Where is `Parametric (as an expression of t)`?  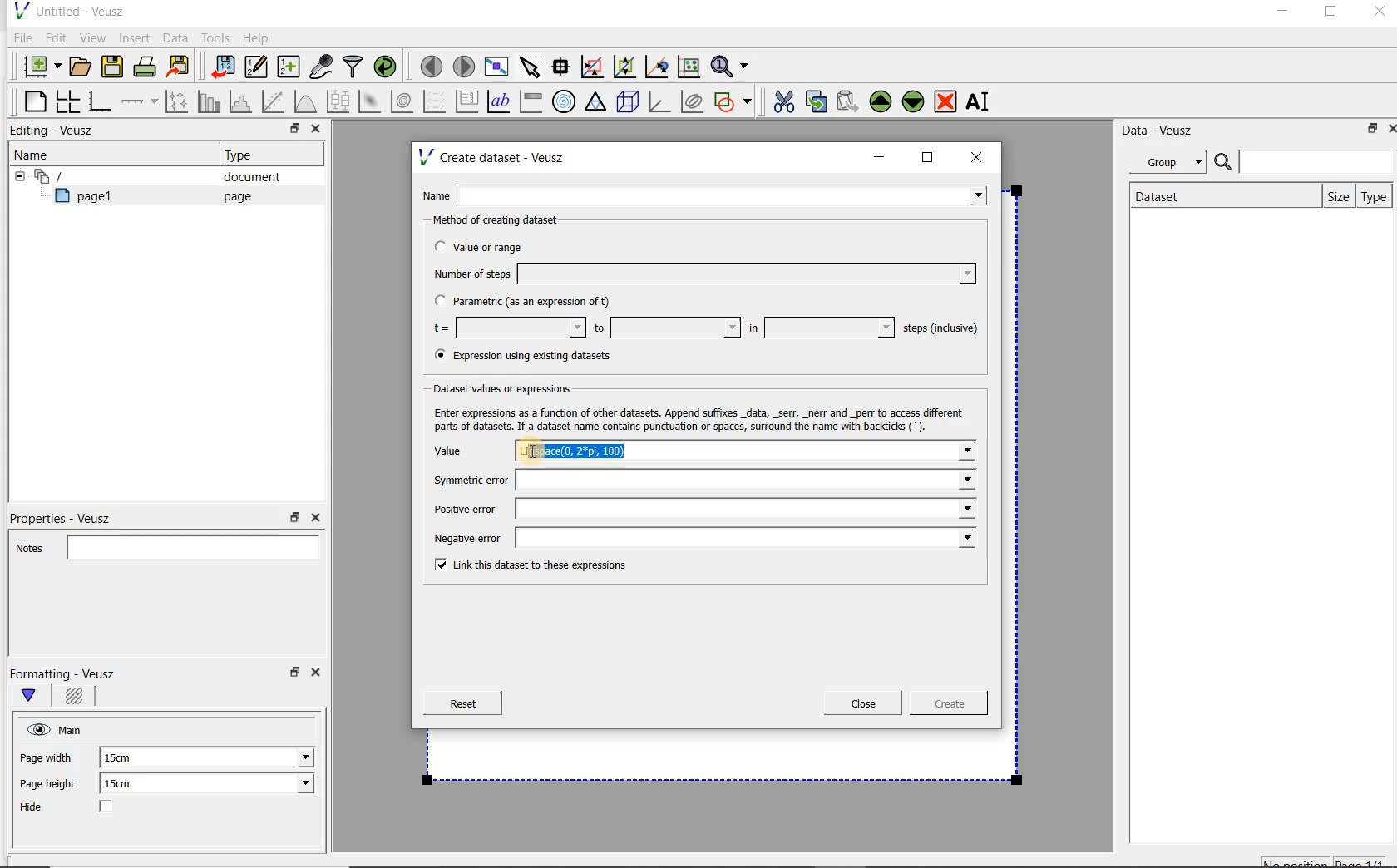
Parametric (as an expression of t) is located at coordinates (530, 302).